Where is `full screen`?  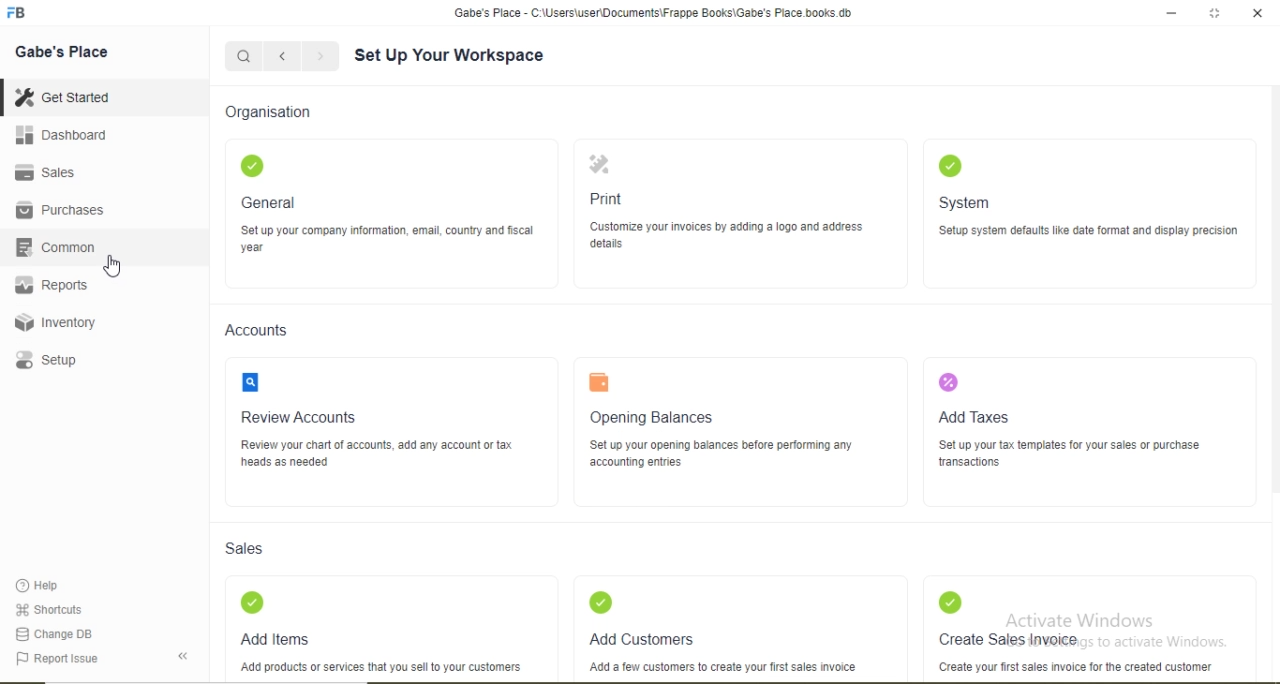
full screen is located at coordinates (1215, 13).